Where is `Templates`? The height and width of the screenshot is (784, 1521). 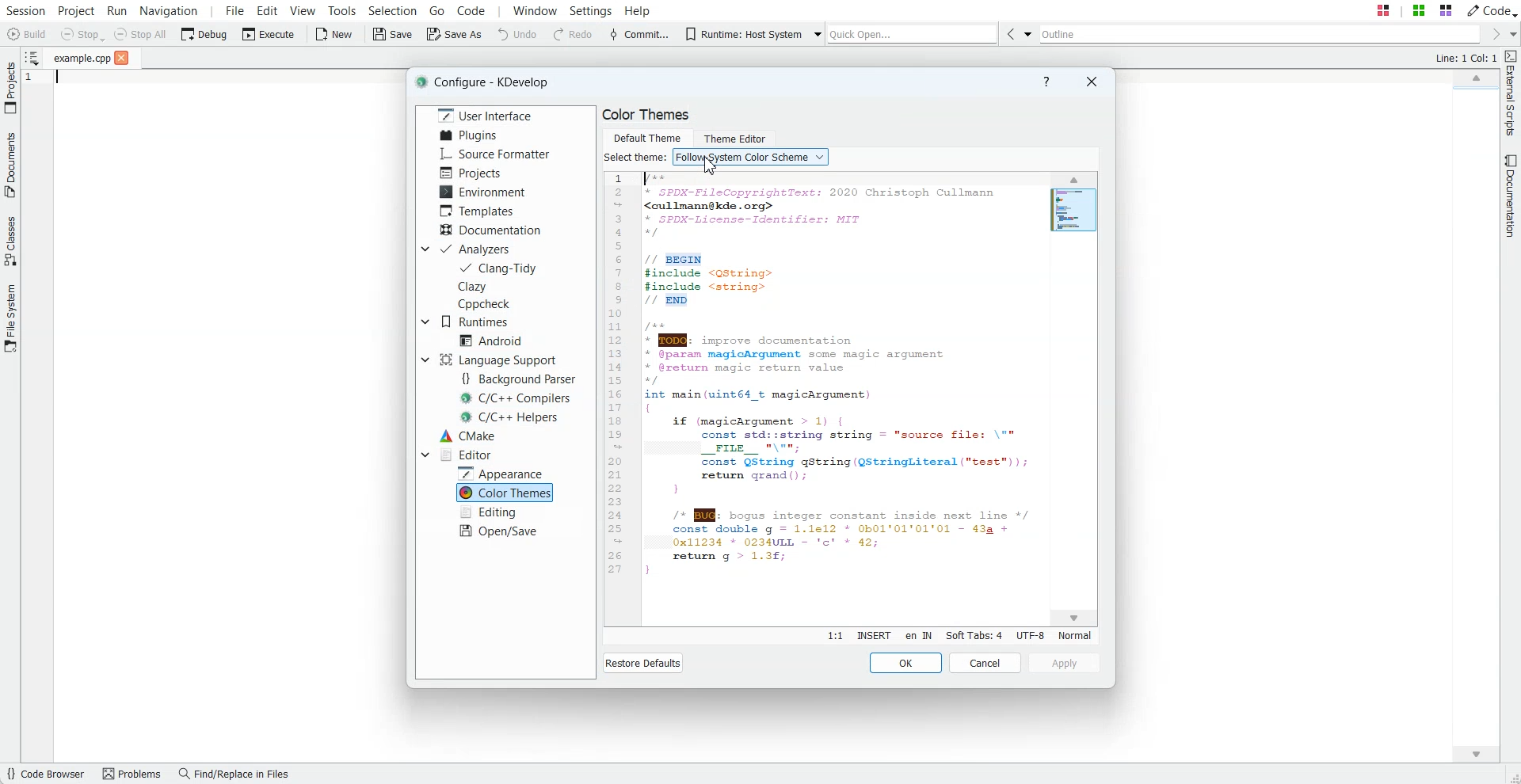
Templates is located at coordinates (480, 211).